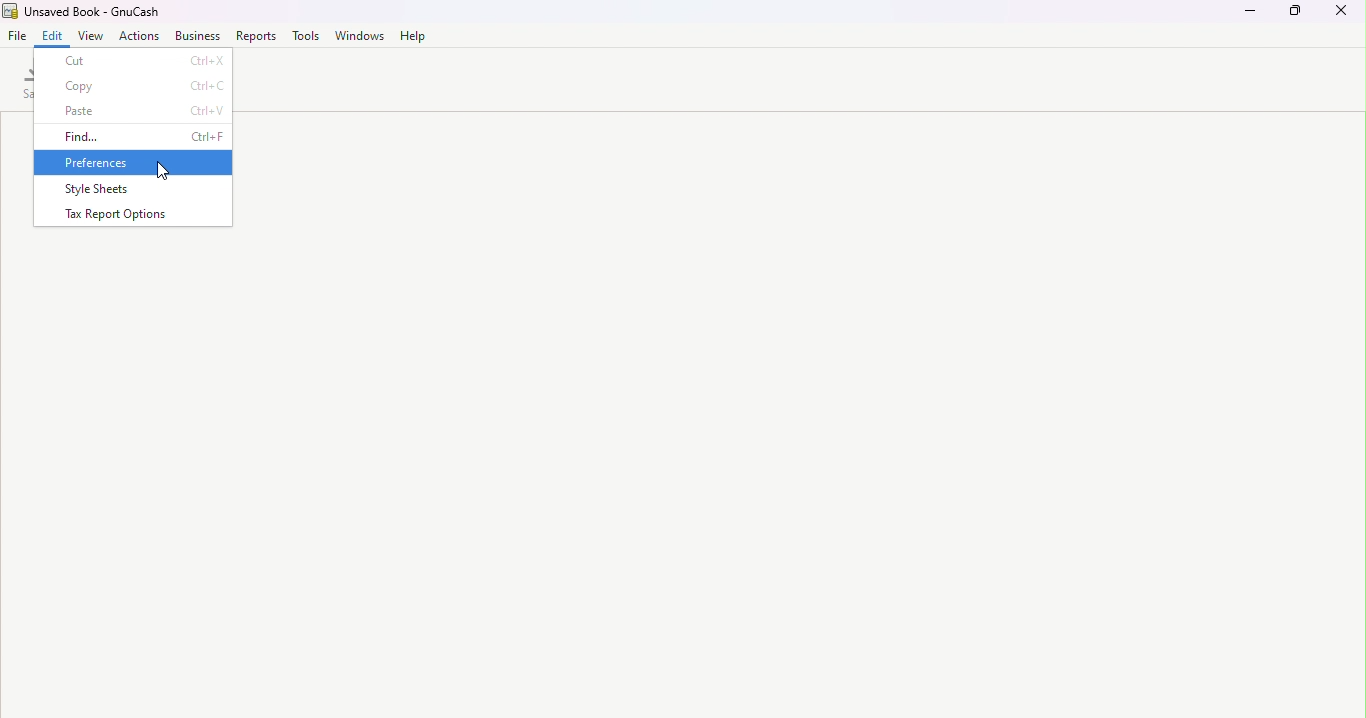  I want to click on Tax report options, so click(133, 215).